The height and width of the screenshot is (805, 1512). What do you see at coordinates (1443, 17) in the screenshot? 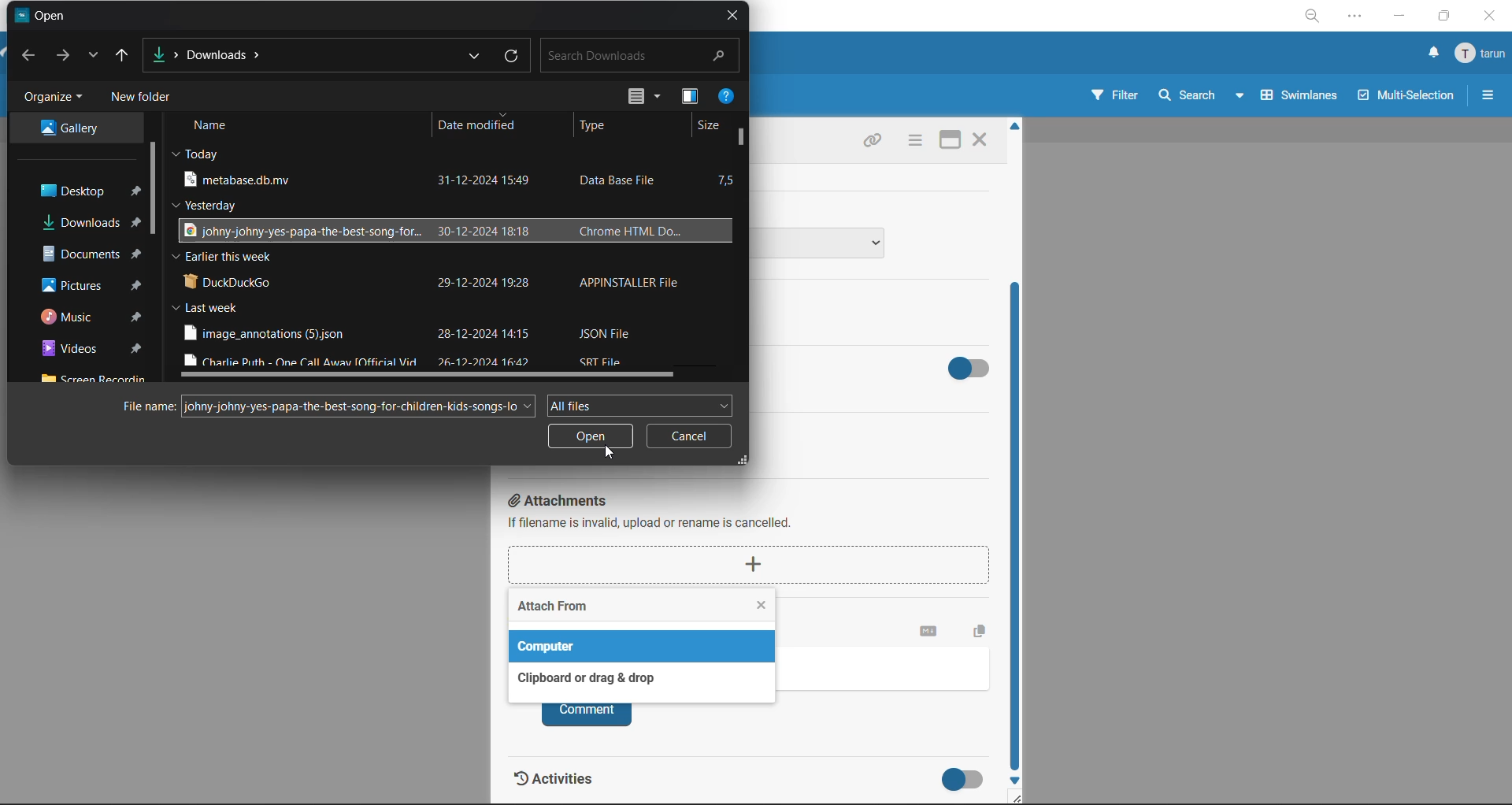
I see `maximize` at bounding box center [1443, 17].